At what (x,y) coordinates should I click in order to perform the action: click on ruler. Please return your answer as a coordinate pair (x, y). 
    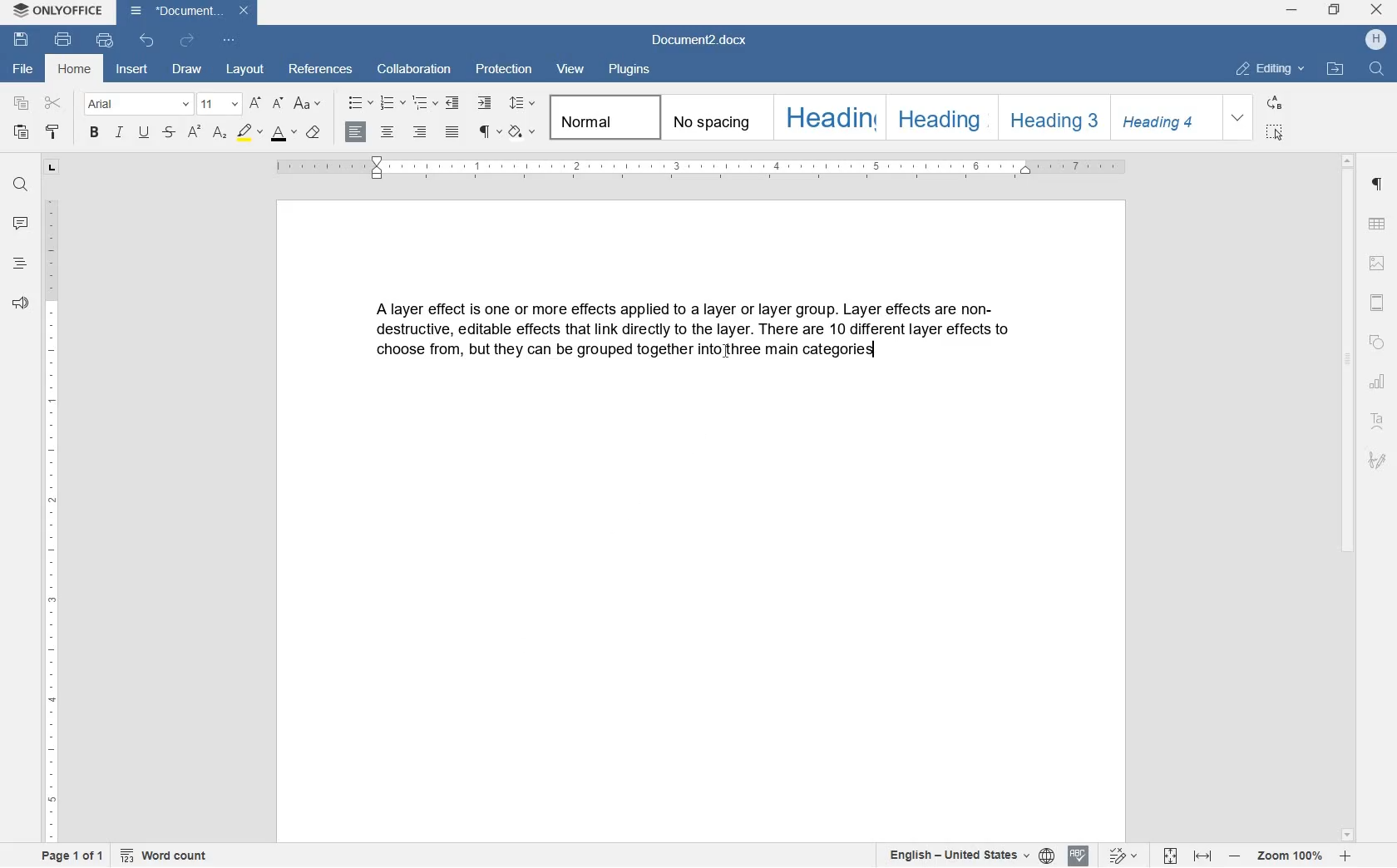
    Looking at the image, I should click on (707, 170).